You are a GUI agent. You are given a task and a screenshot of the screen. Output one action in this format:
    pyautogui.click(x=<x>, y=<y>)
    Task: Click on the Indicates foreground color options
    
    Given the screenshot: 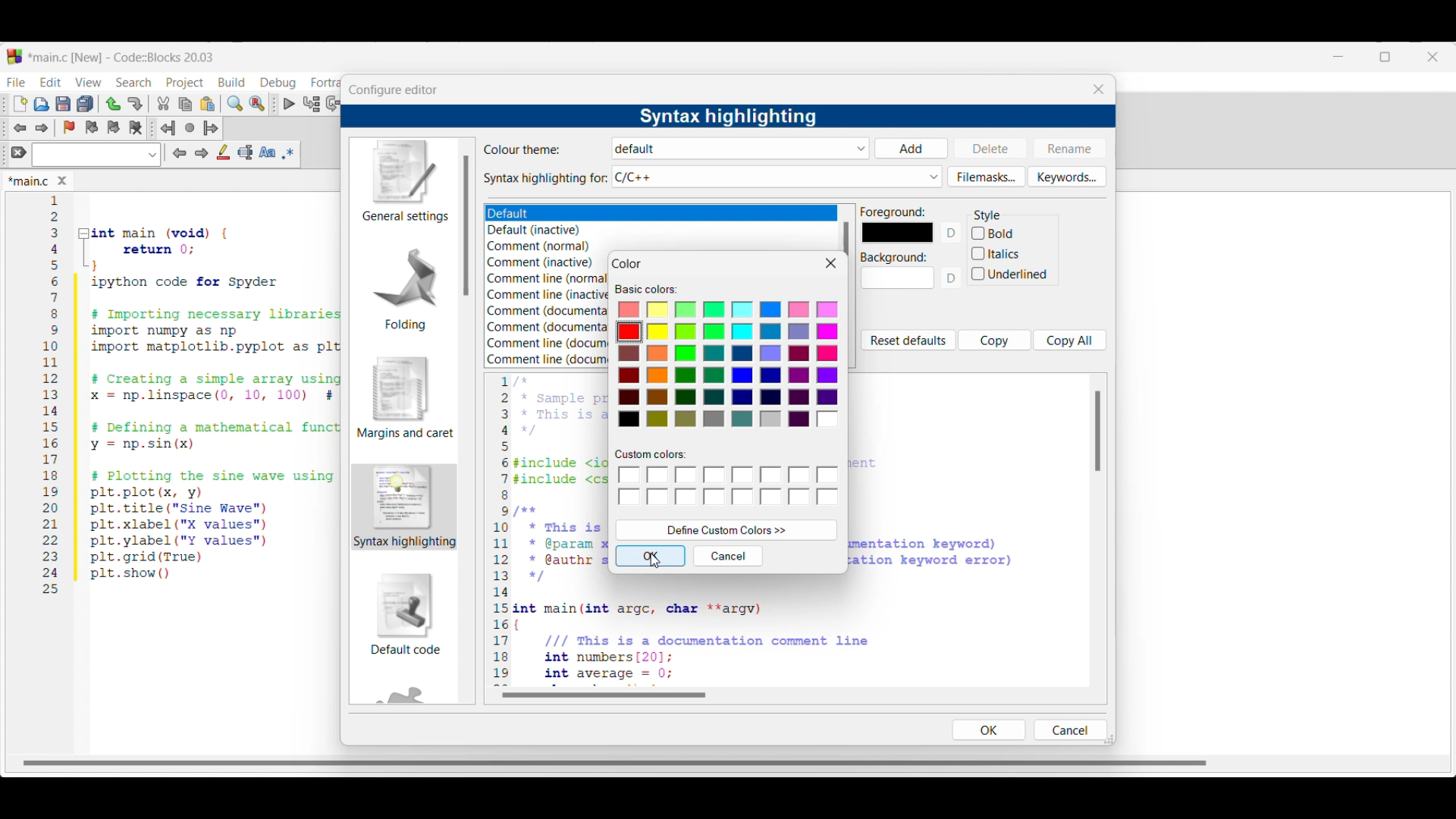 What is the action you would take?
    pyautogui.click(x=893, y=212)
    